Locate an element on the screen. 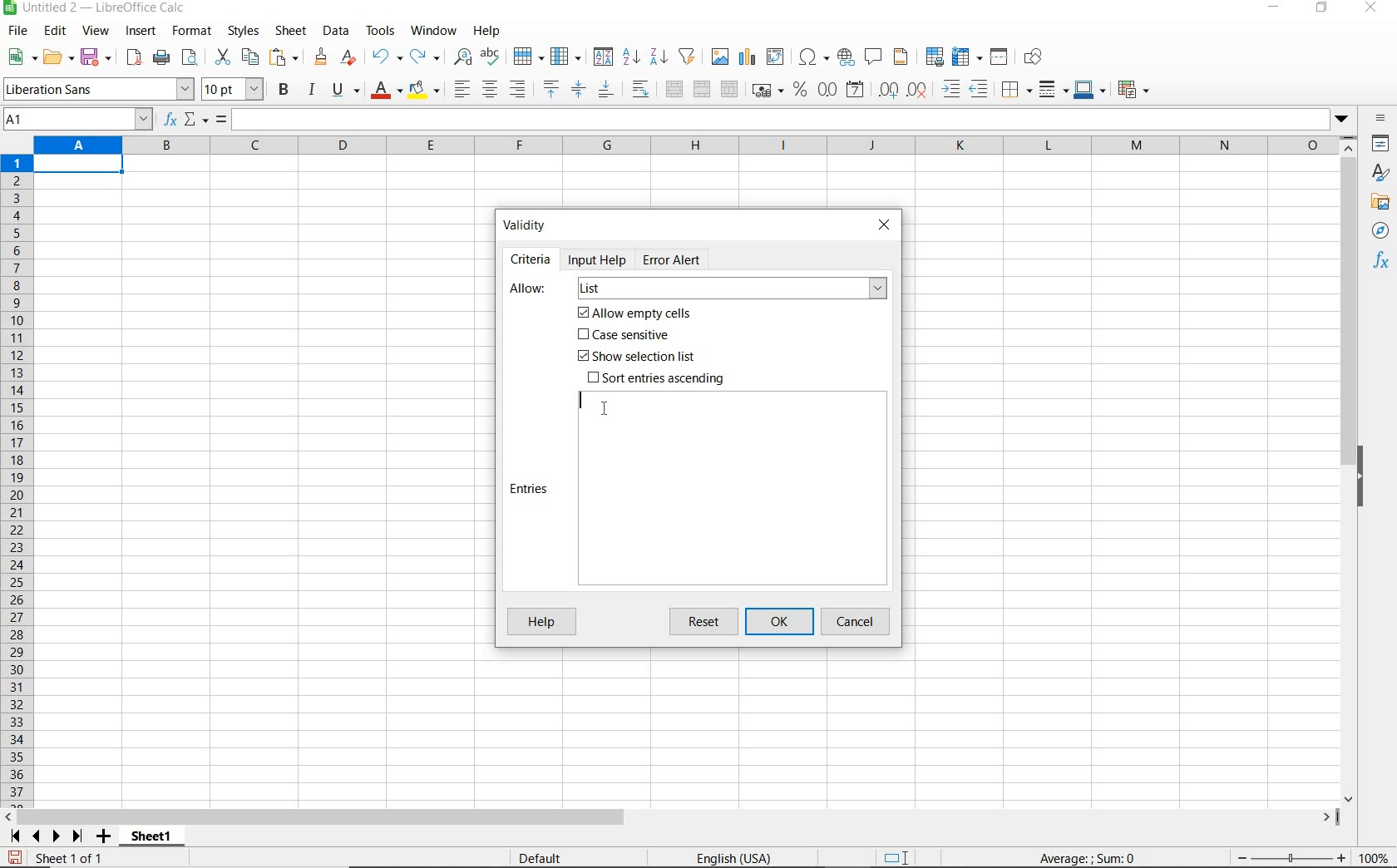  add sheet is located at coordinates (101, 838).